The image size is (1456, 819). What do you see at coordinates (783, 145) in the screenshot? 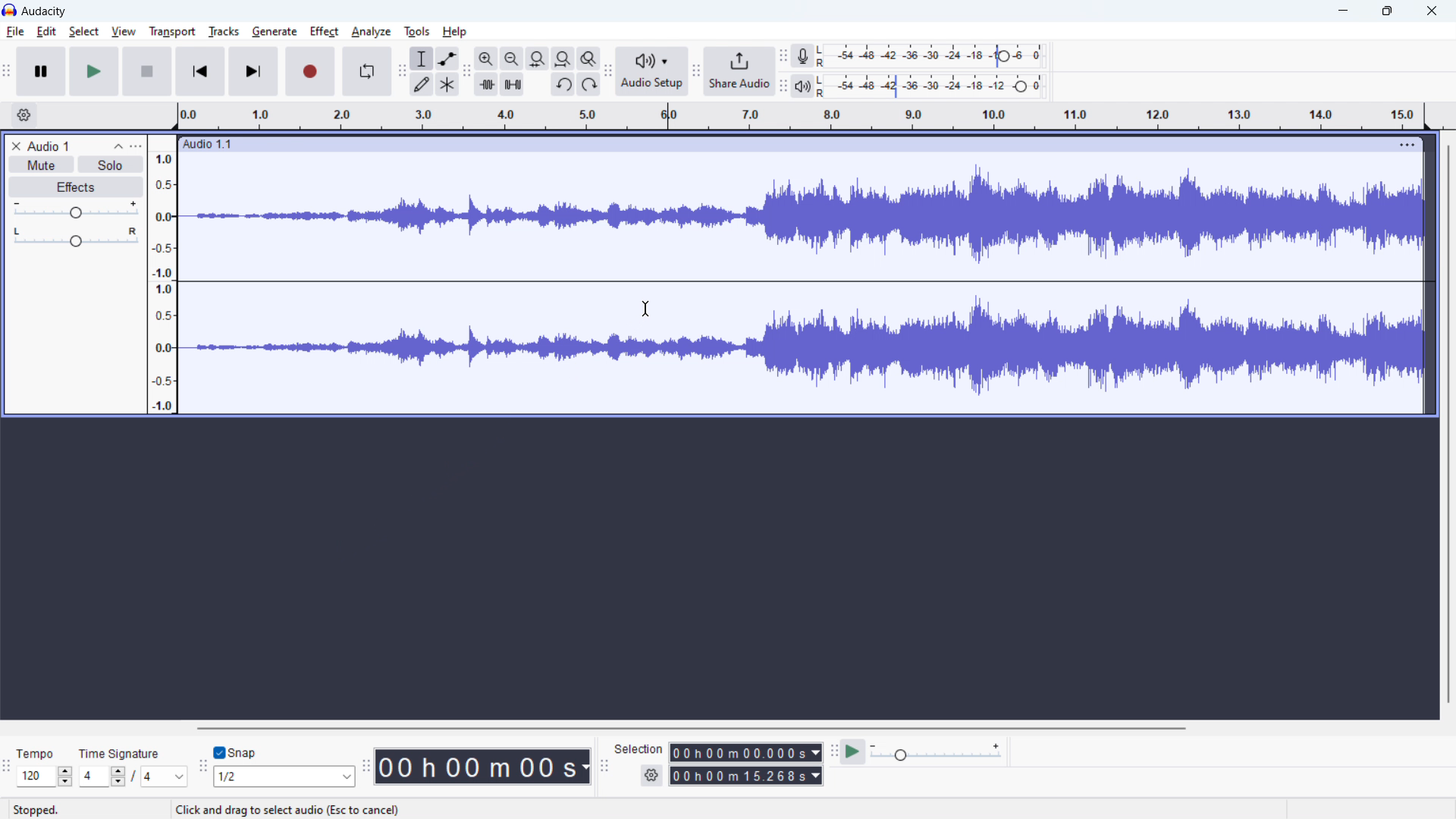
I see `hold to move` at bounding box center [783, 145].